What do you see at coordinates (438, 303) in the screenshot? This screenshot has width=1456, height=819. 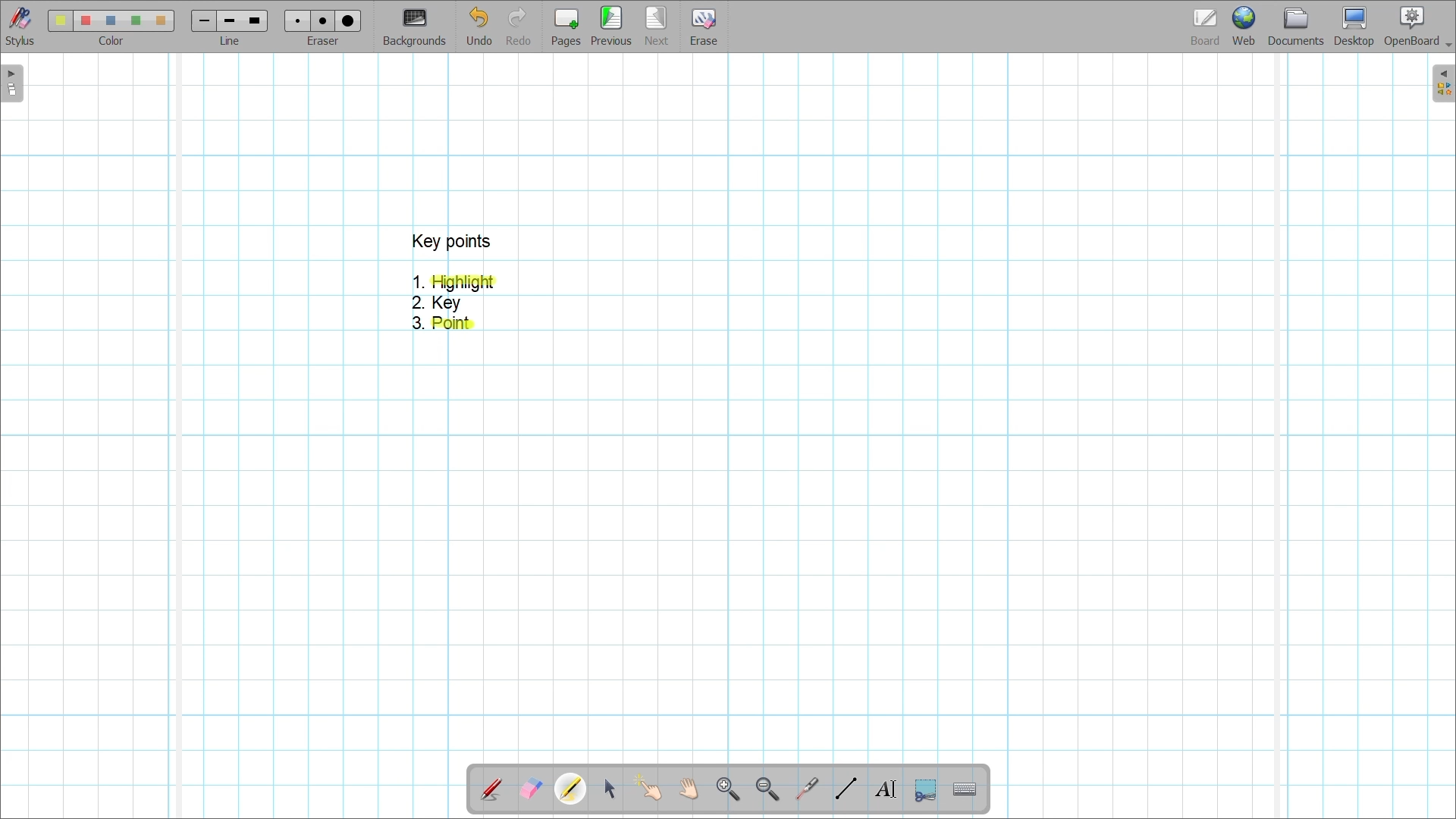 I see `2. Key` at bounding box center [438, 303].